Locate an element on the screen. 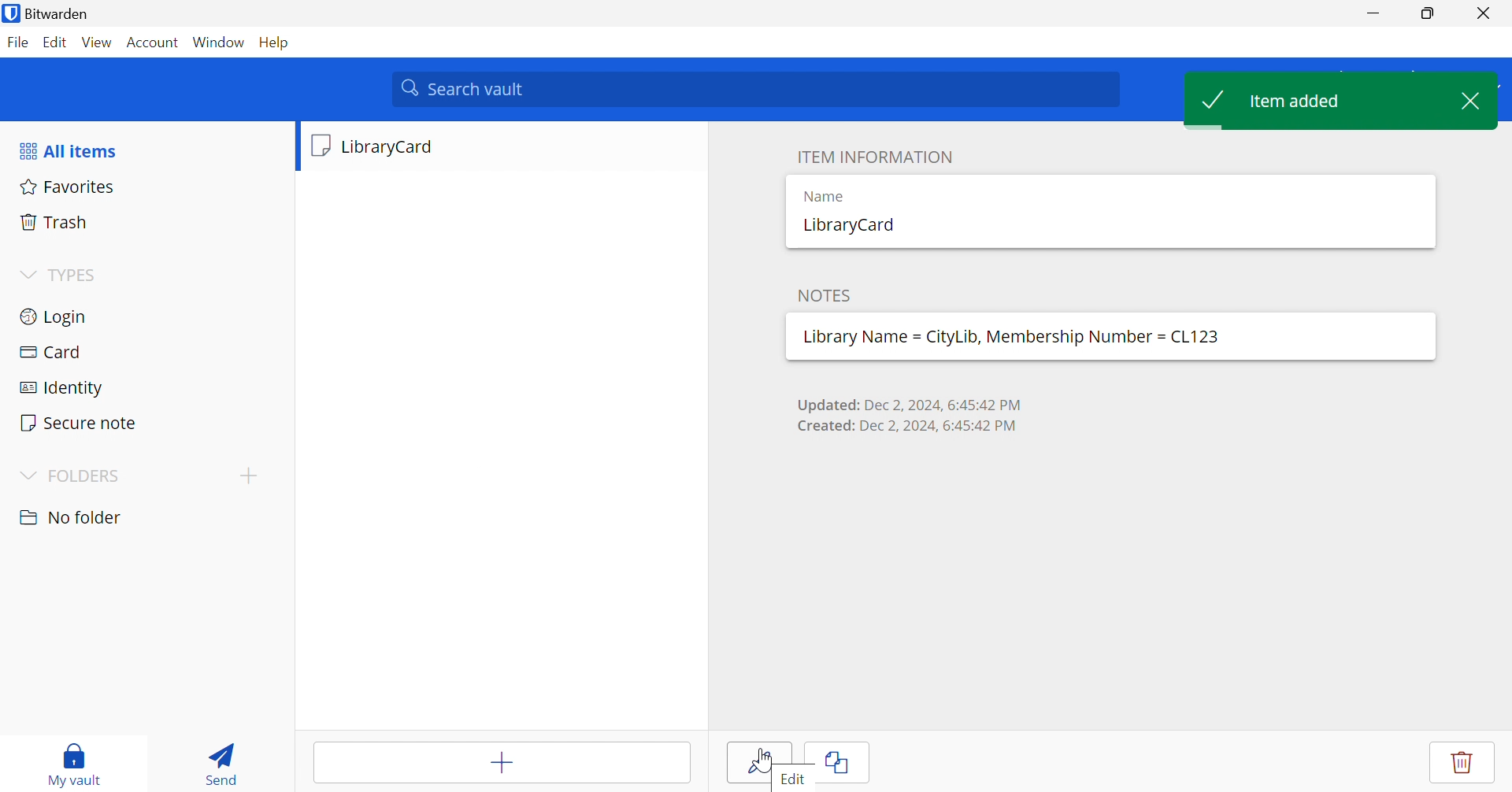  Cursor is located at coordinates (763, 760).